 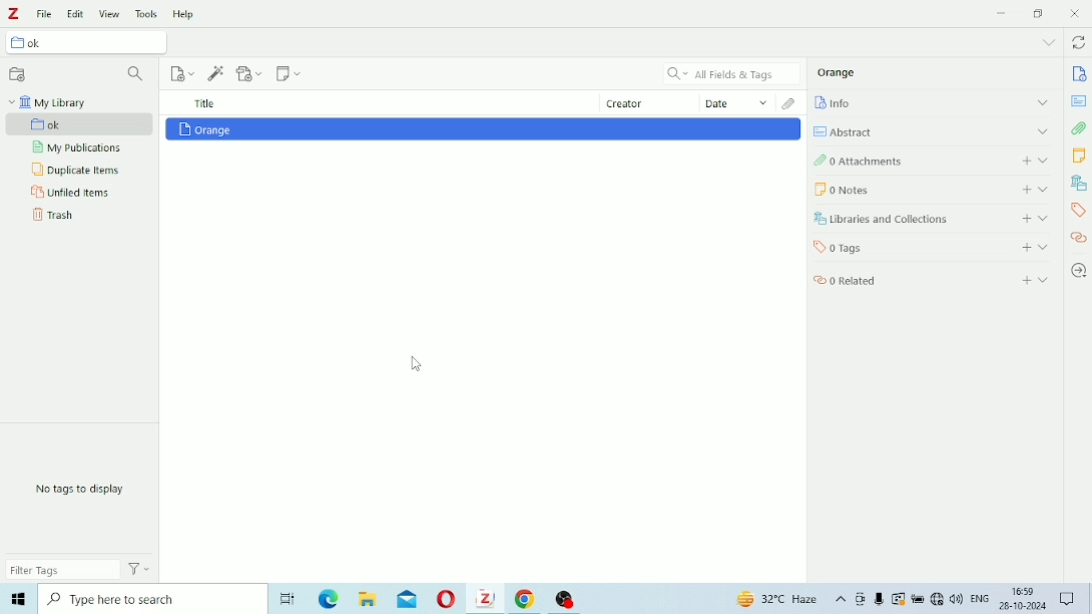 I want to click on Minimize, so click(x=1001, y=13).